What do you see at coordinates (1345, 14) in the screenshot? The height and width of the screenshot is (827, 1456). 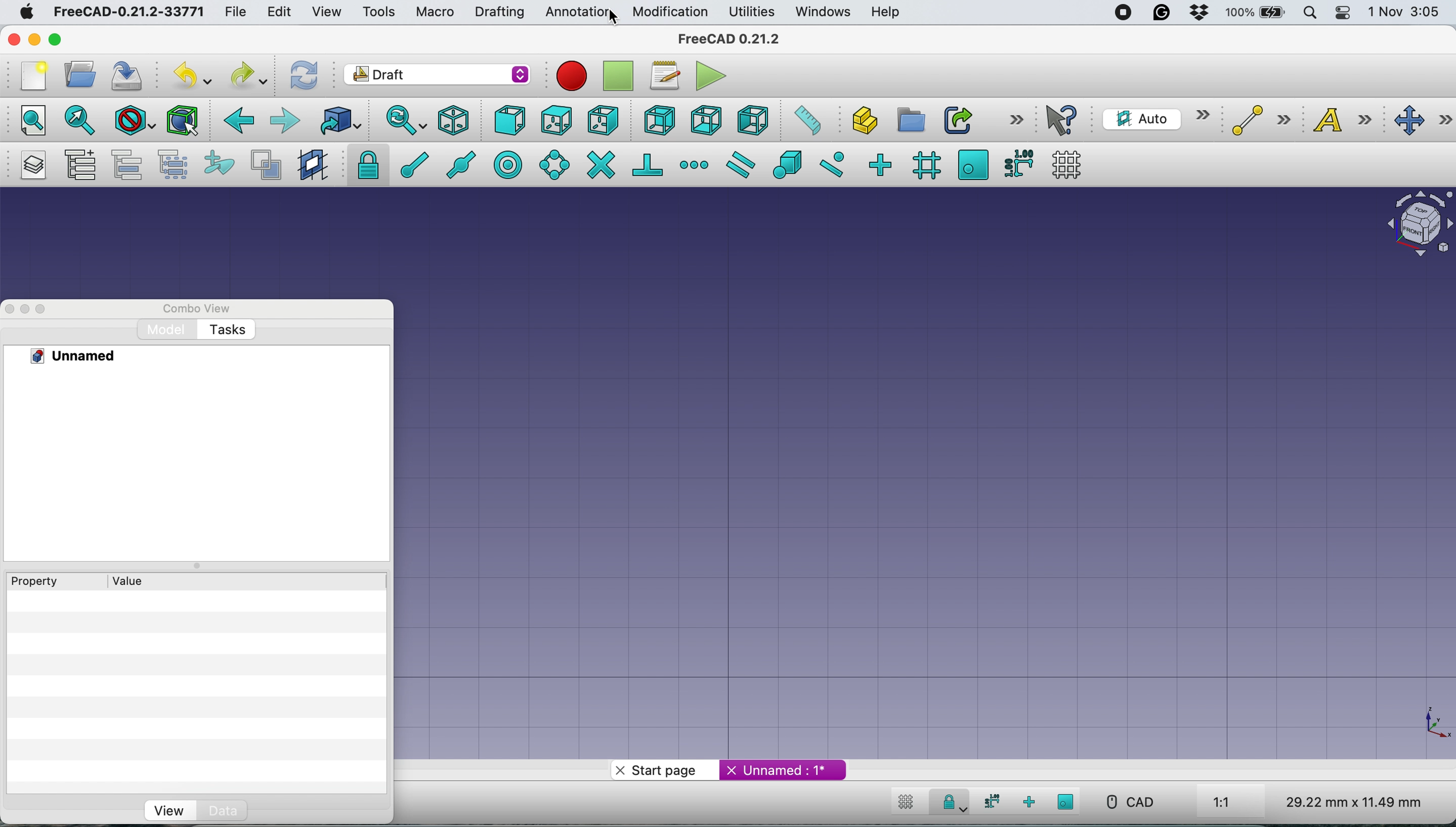 I see `control center` at bounding box center [1345, 14].